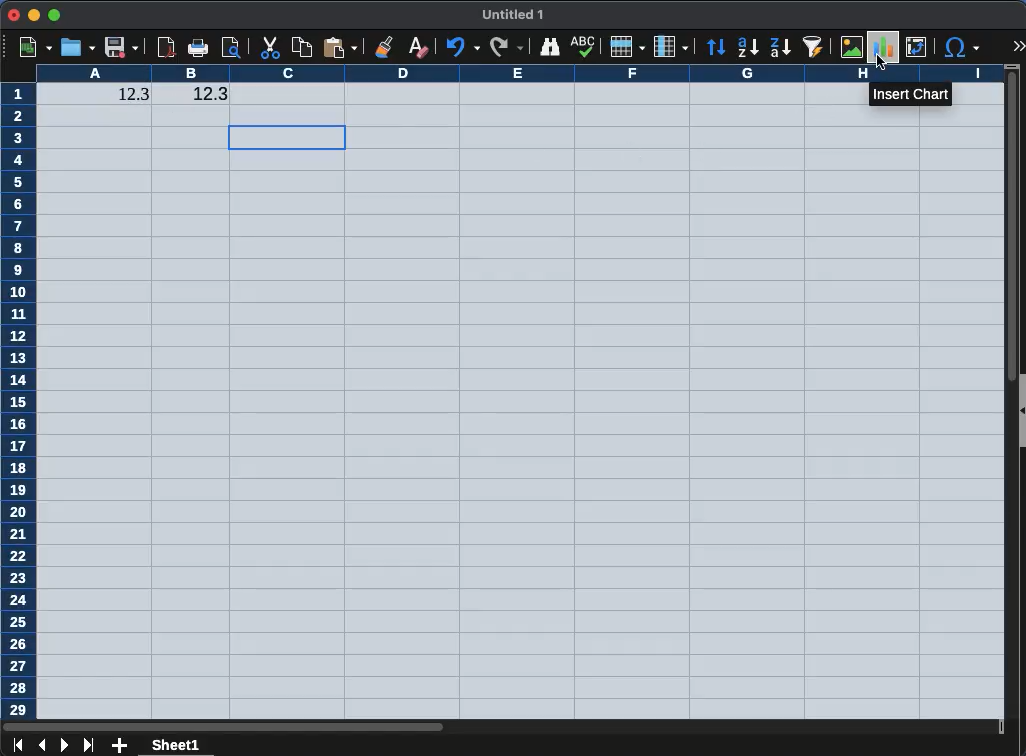 The image size is (1026, 756). Describe the element at coordinates (916, 48) in the screenshot. I see `pivot table` at that location.